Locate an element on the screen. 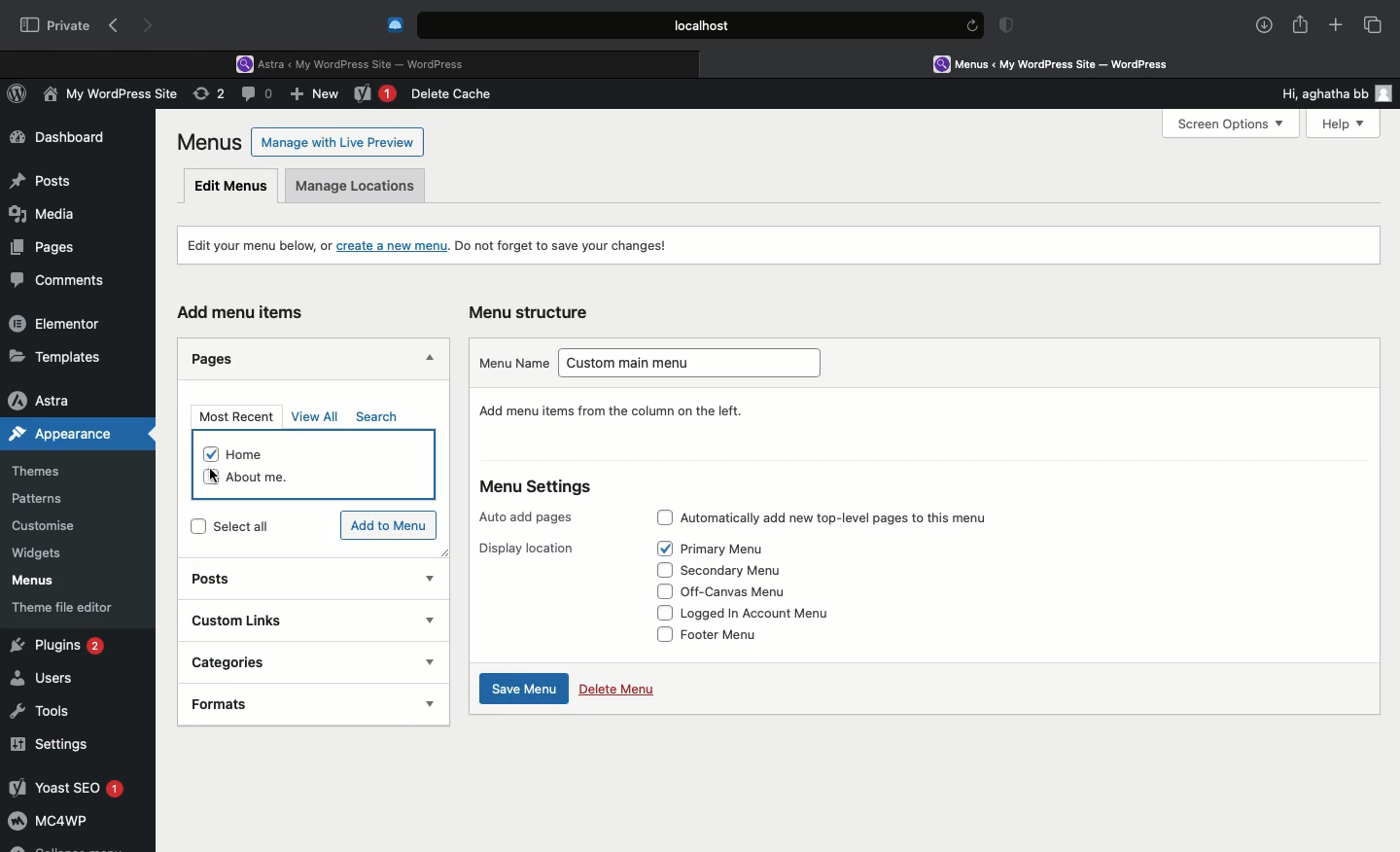 This screenshot has height=852, width=1400. Add menu items is located at coordinates (249, 313).